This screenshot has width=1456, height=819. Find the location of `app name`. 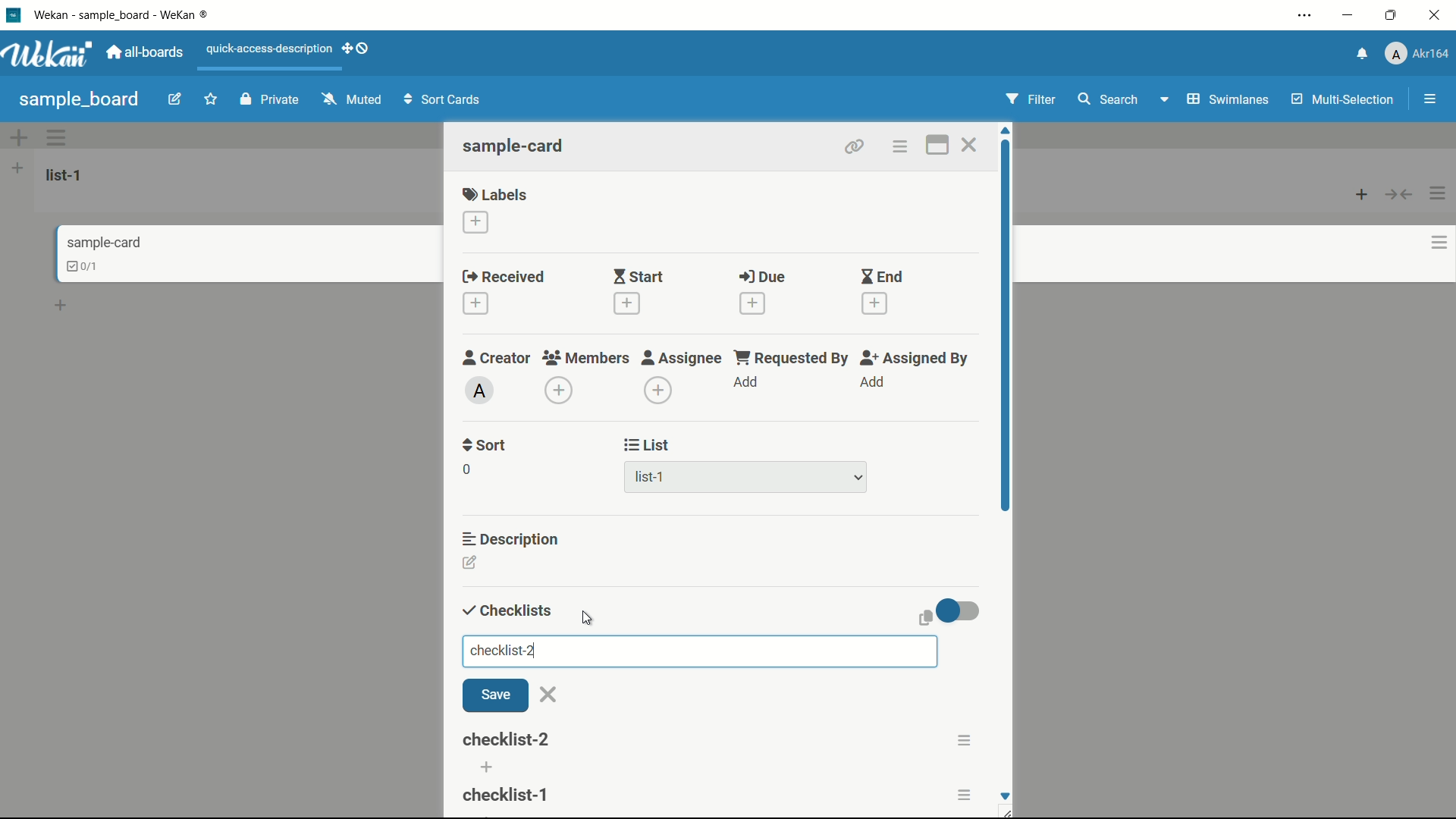

app name is located at coordinates (124, 14).